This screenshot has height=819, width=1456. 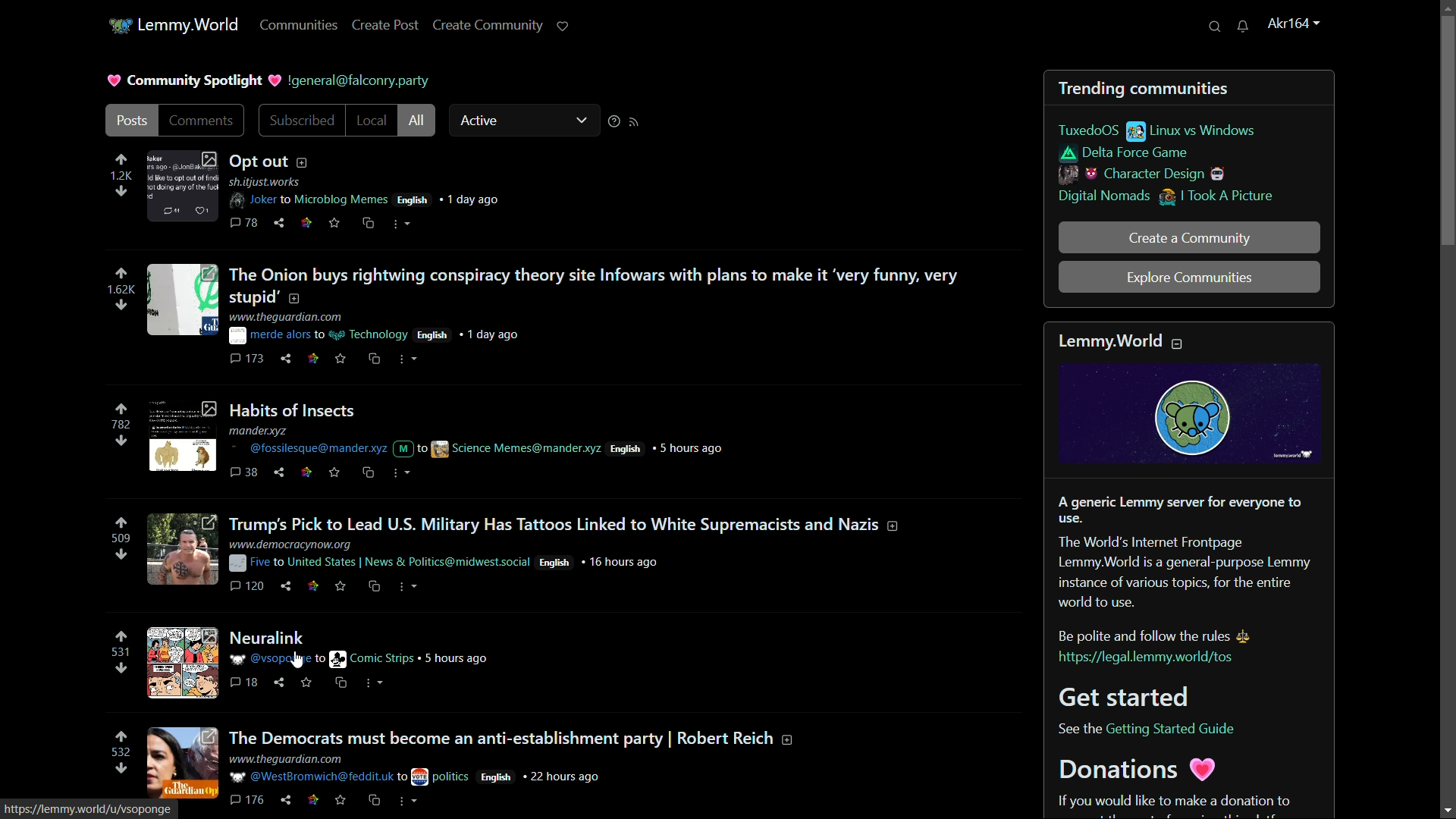 What do you see at coordinates (252, 798) in the screenshot?
I see `comments` at bounding box center [252, 798].